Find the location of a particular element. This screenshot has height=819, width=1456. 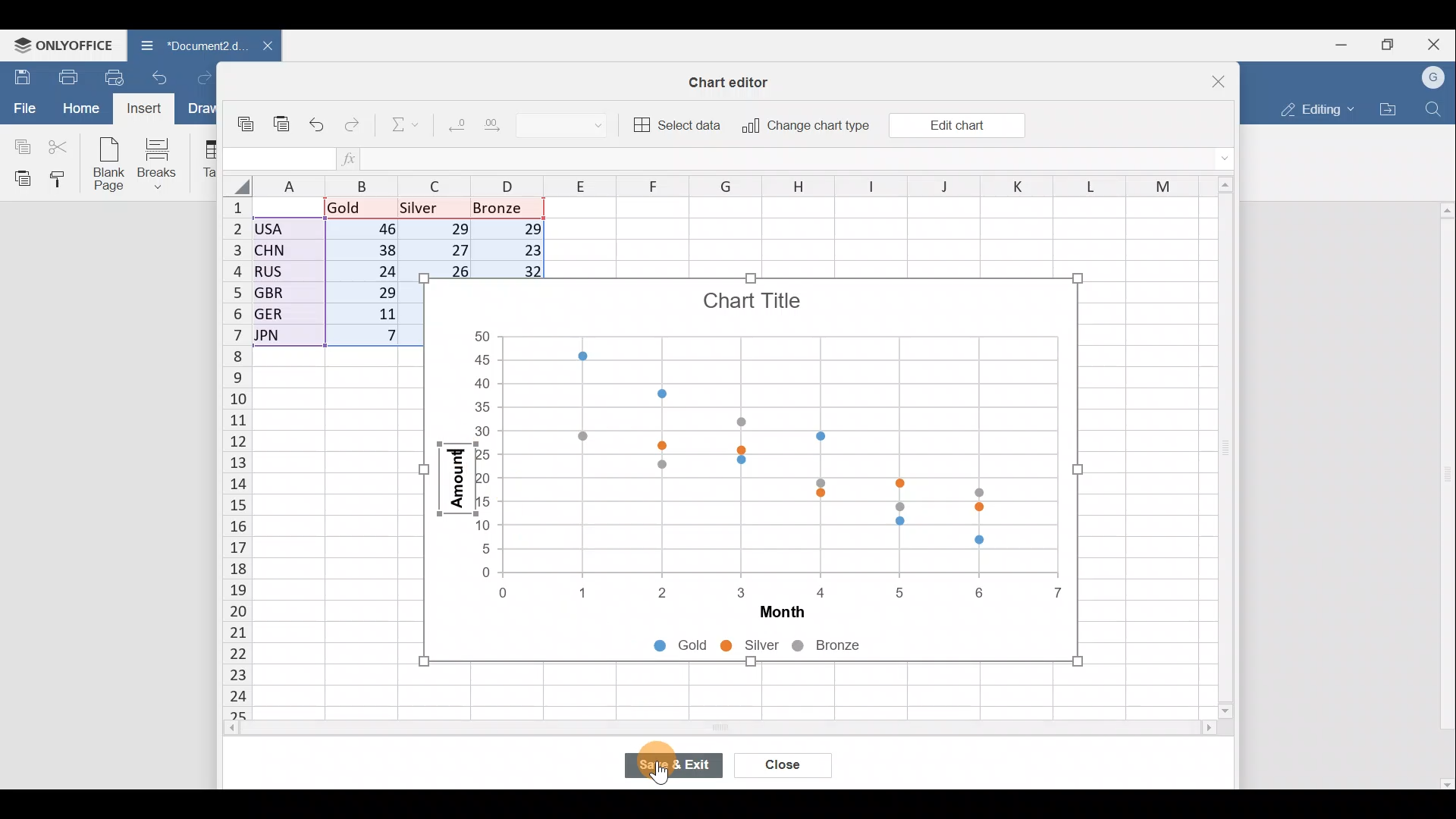

Chart image is located at coordinates (775, 437).